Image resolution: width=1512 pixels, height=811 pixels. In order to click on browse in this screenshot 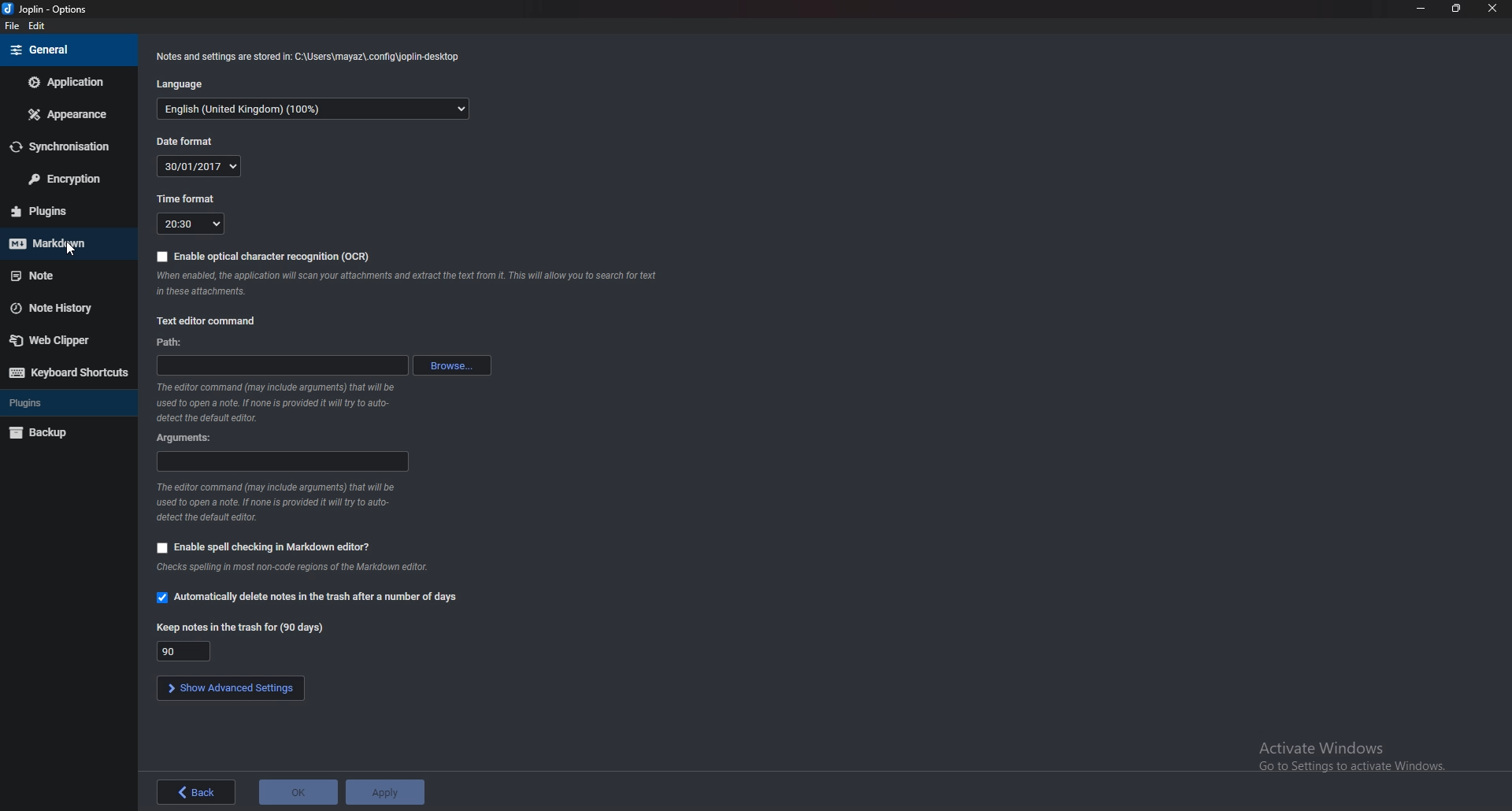, I will do `click(447, 365)`.